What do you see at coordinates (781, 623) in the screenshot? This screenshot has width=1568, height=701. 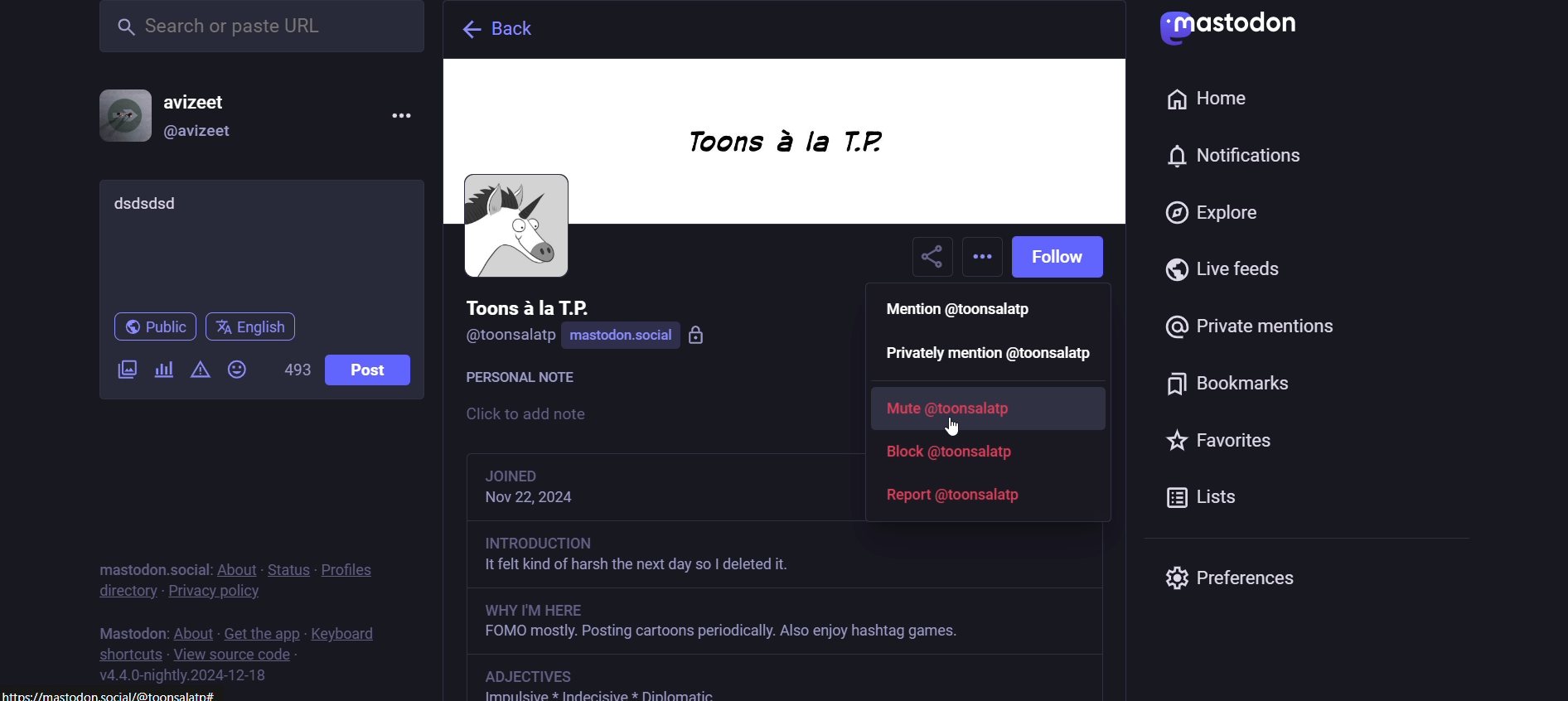 I see `` at bounding box center [781, 623].